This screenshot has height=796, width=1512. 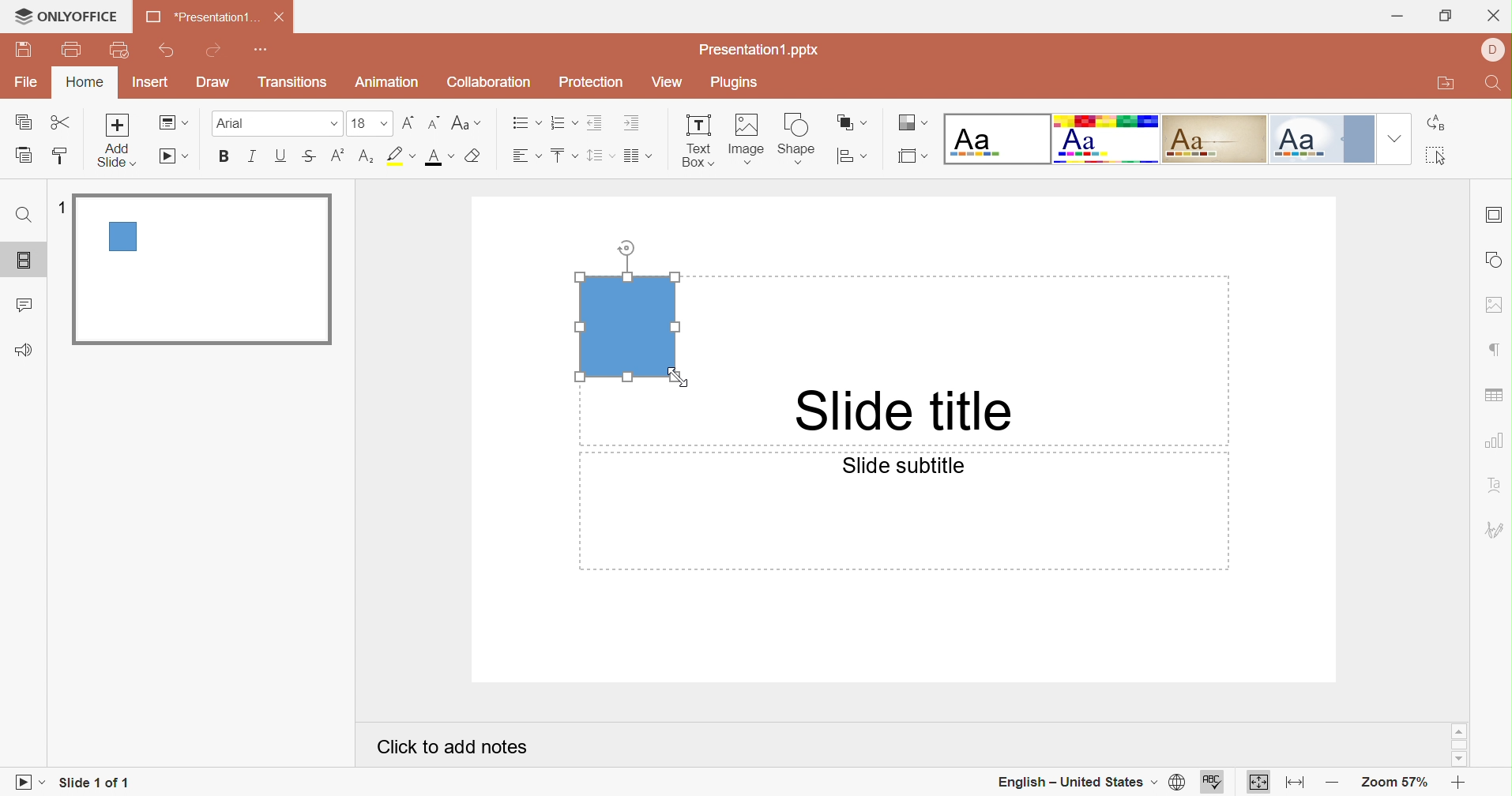 What do you see at coordinates (1074, 783) in the screenshot?
I see `English - United States` at bounding box center [1074, 783].